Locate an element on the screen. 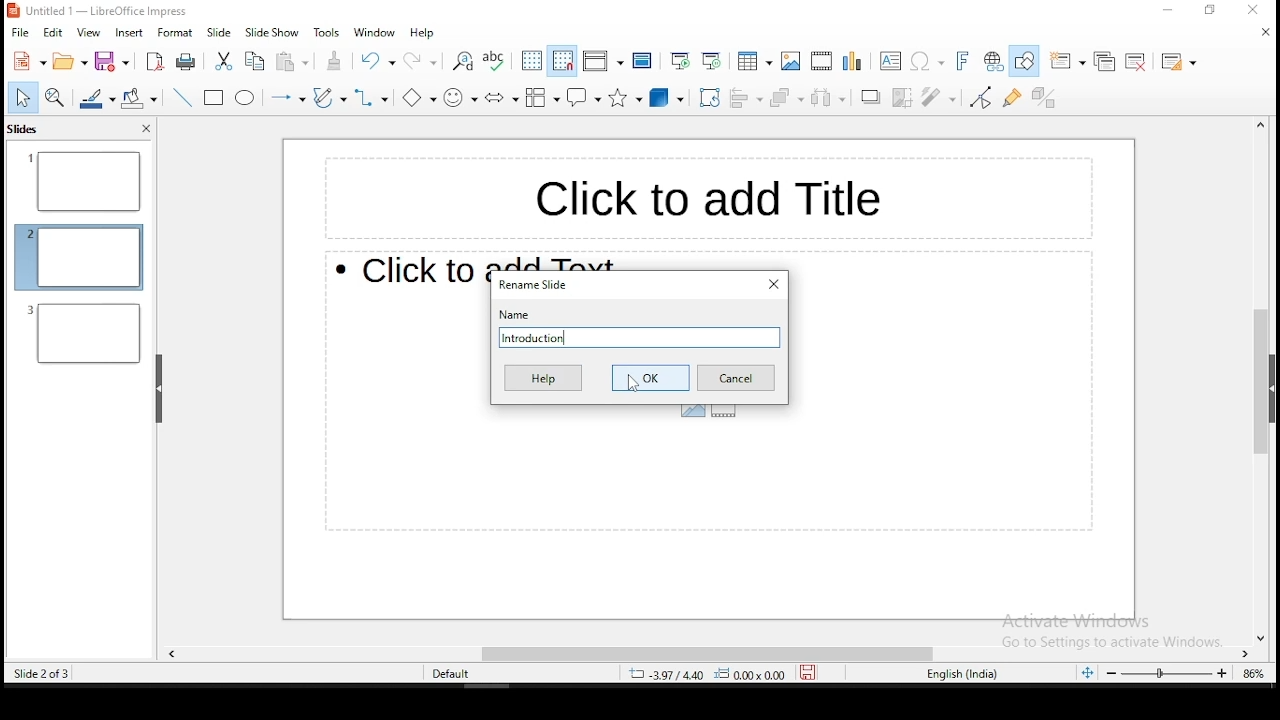  Shadow is located at coordinates (871, 96).